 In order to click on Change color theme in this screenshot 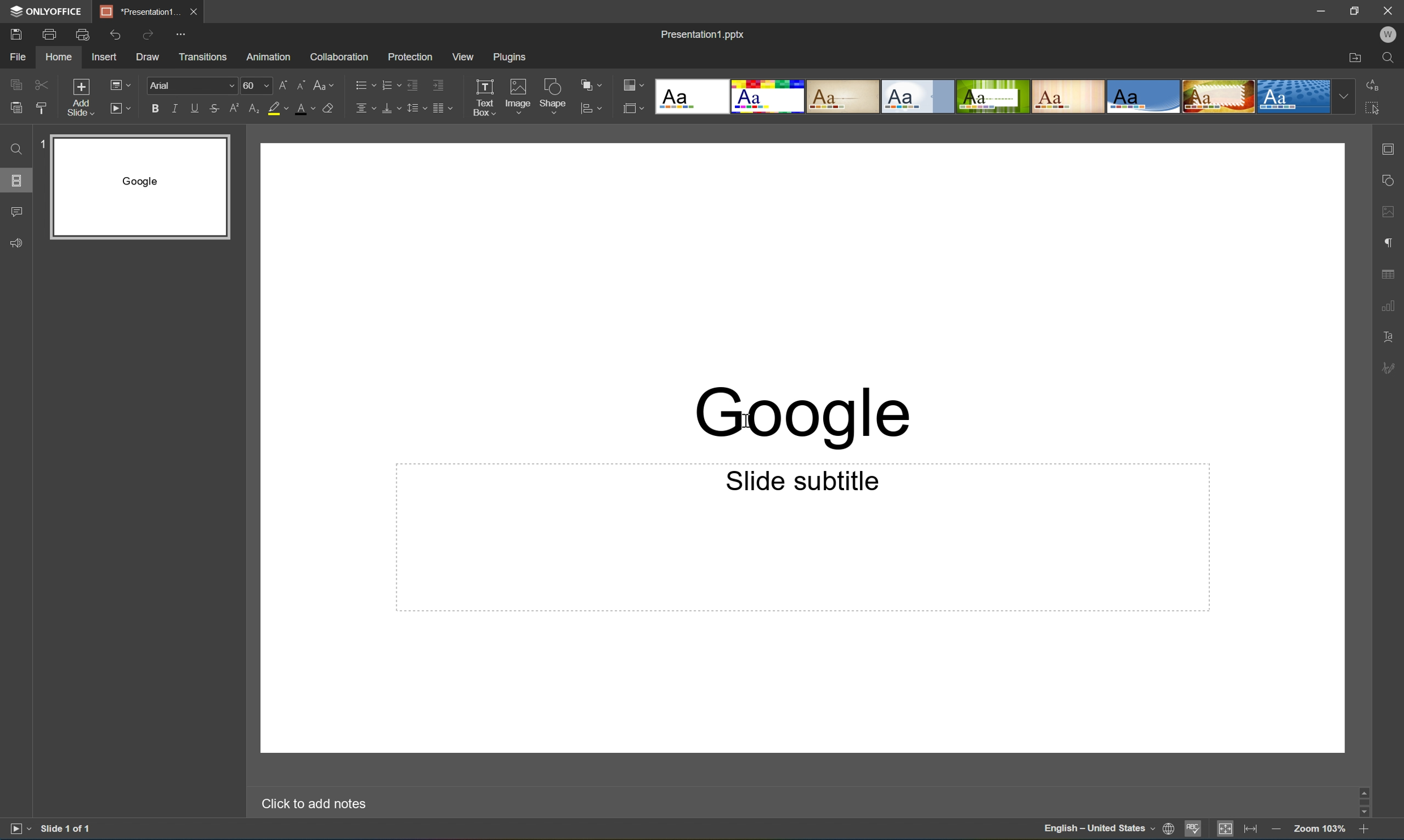, I will do `click(633, 87)`.